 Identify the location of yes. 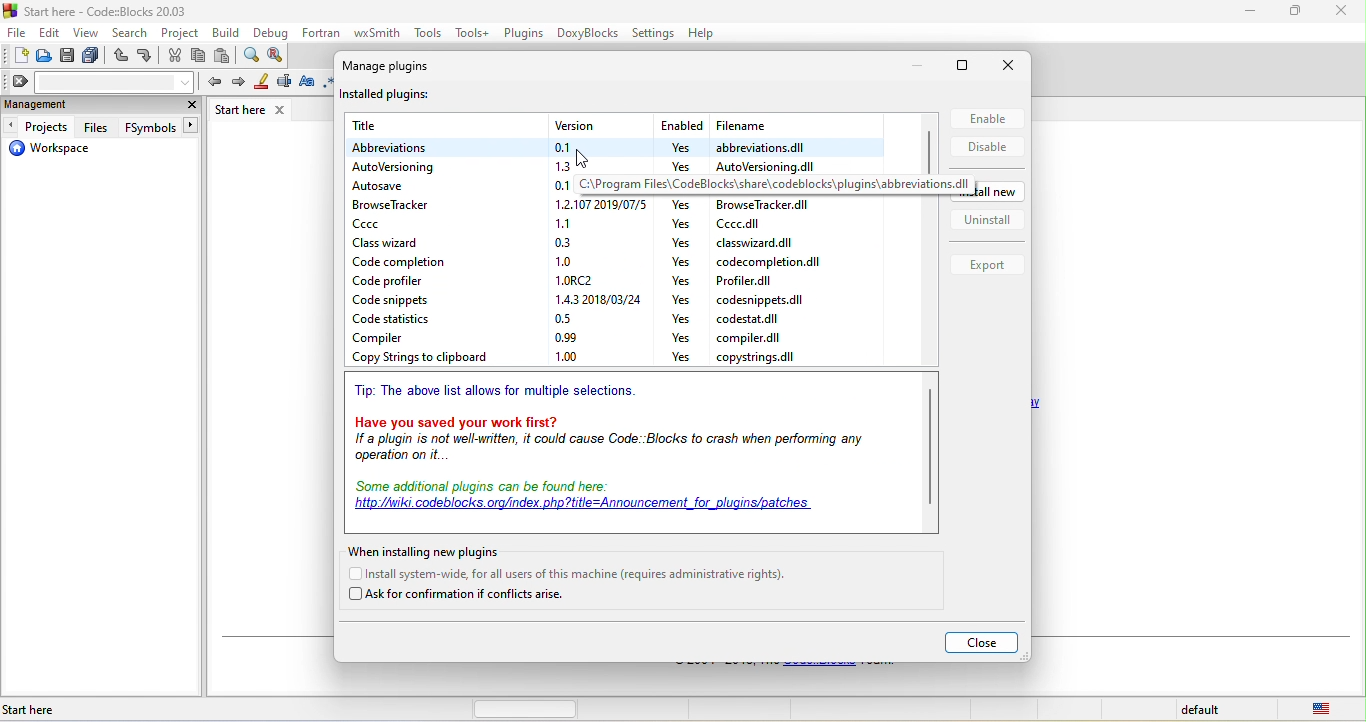
(681, 167).